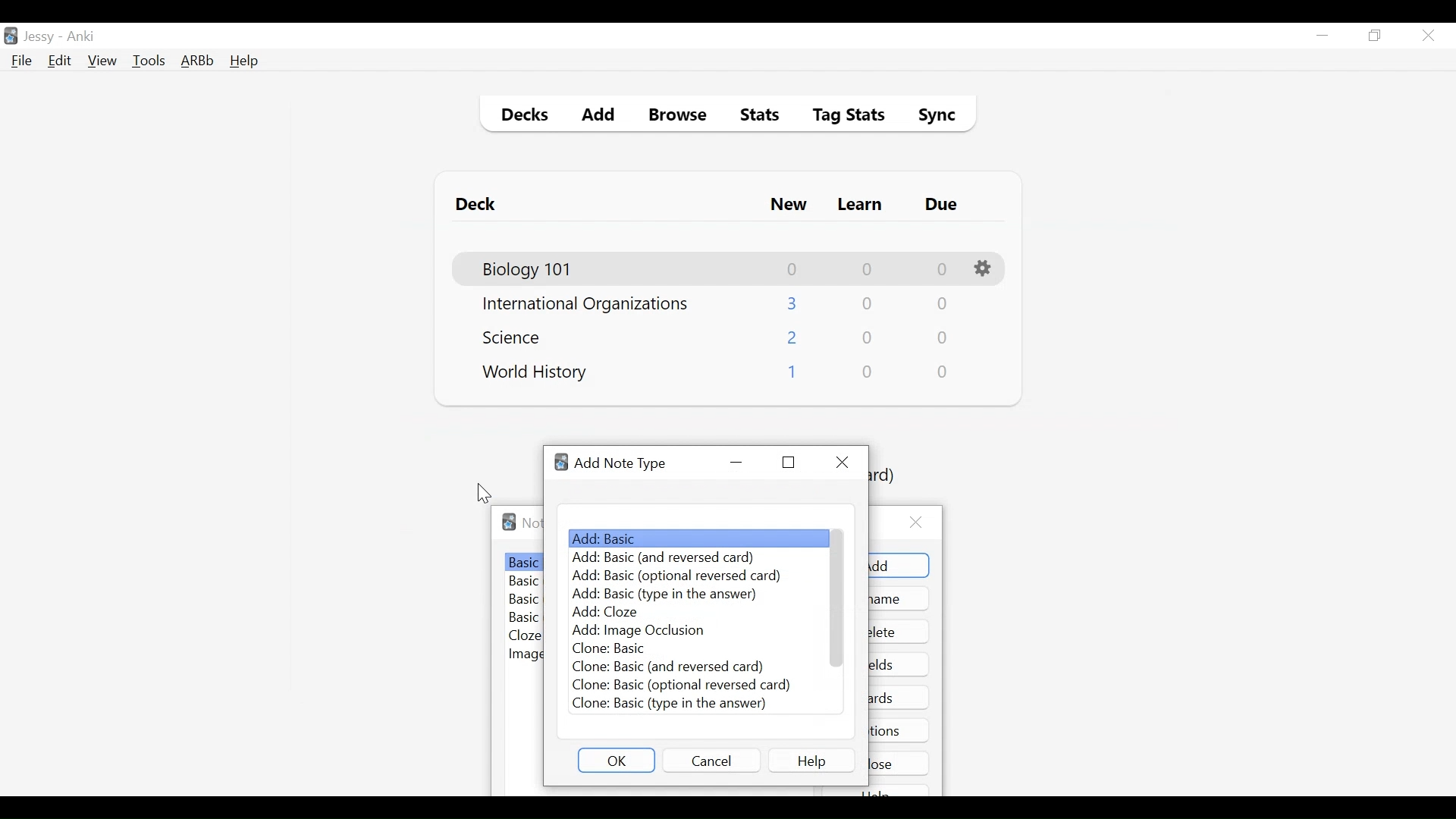 This screenshot has height=819, width=1456. I want to click on Browse, so click(680, 117).